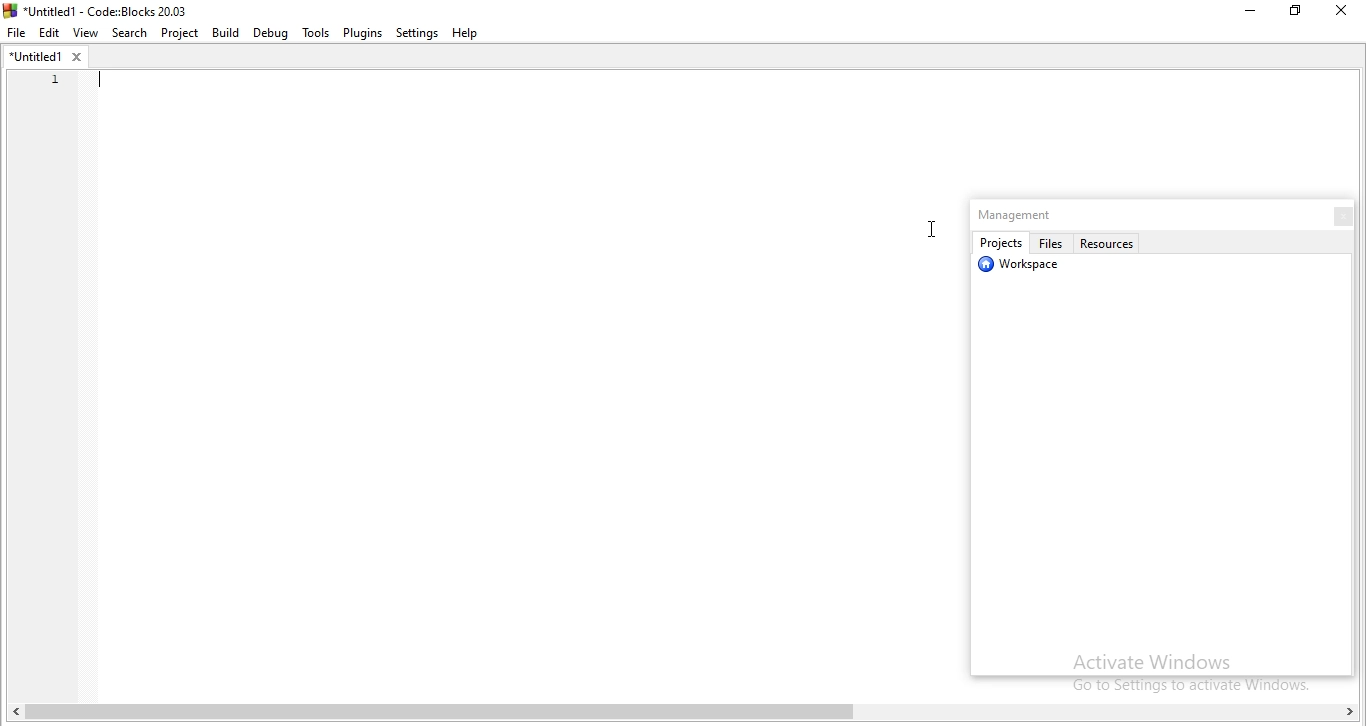 This screenshot has width=1366, height=726. What do you see at coordinates (49, 79) in the screenshot?
I see `1.` at bounding box center [49, 79].